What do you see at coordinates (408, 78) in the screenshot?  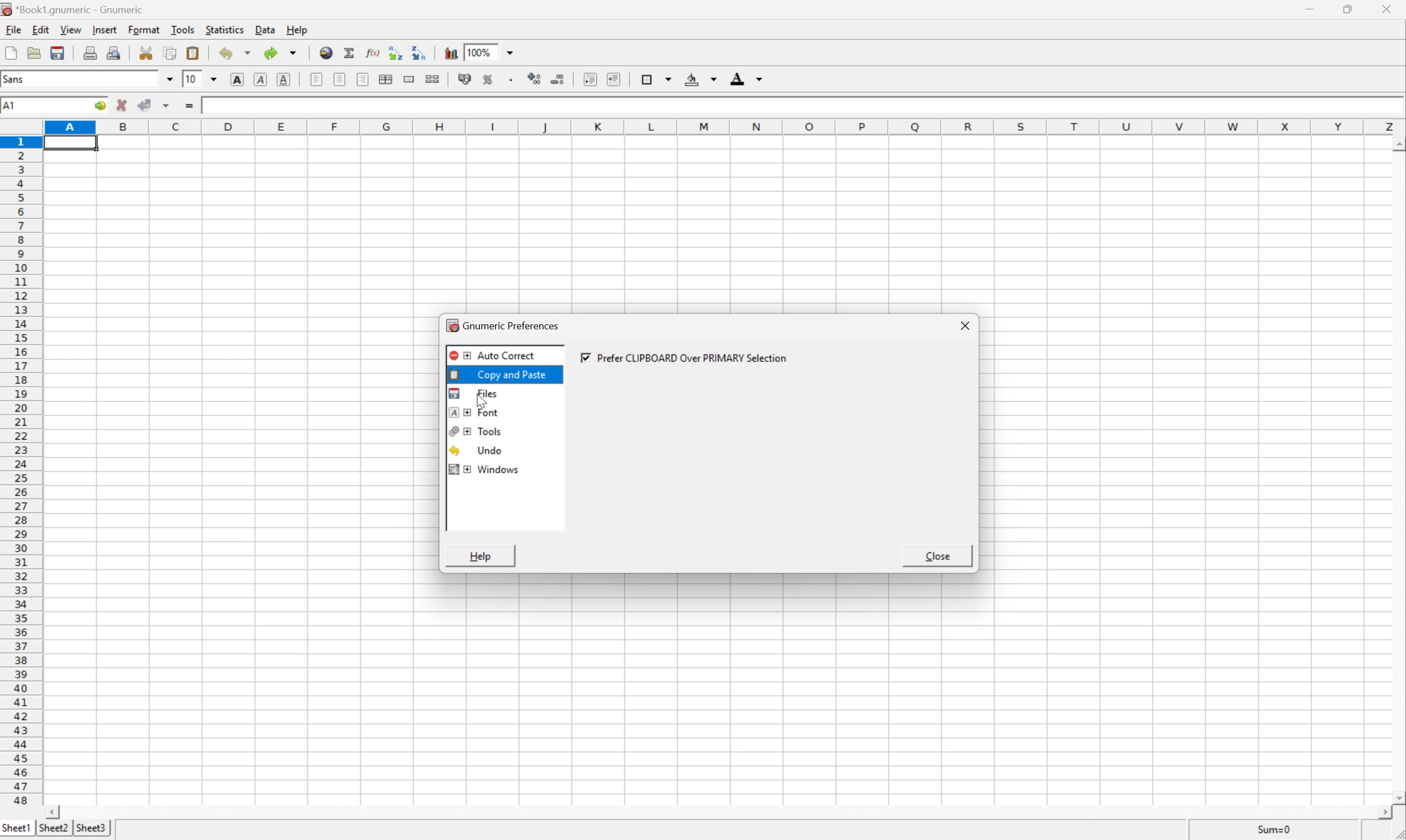 I see `merge a range of cells` at bounding box center [408, 78].